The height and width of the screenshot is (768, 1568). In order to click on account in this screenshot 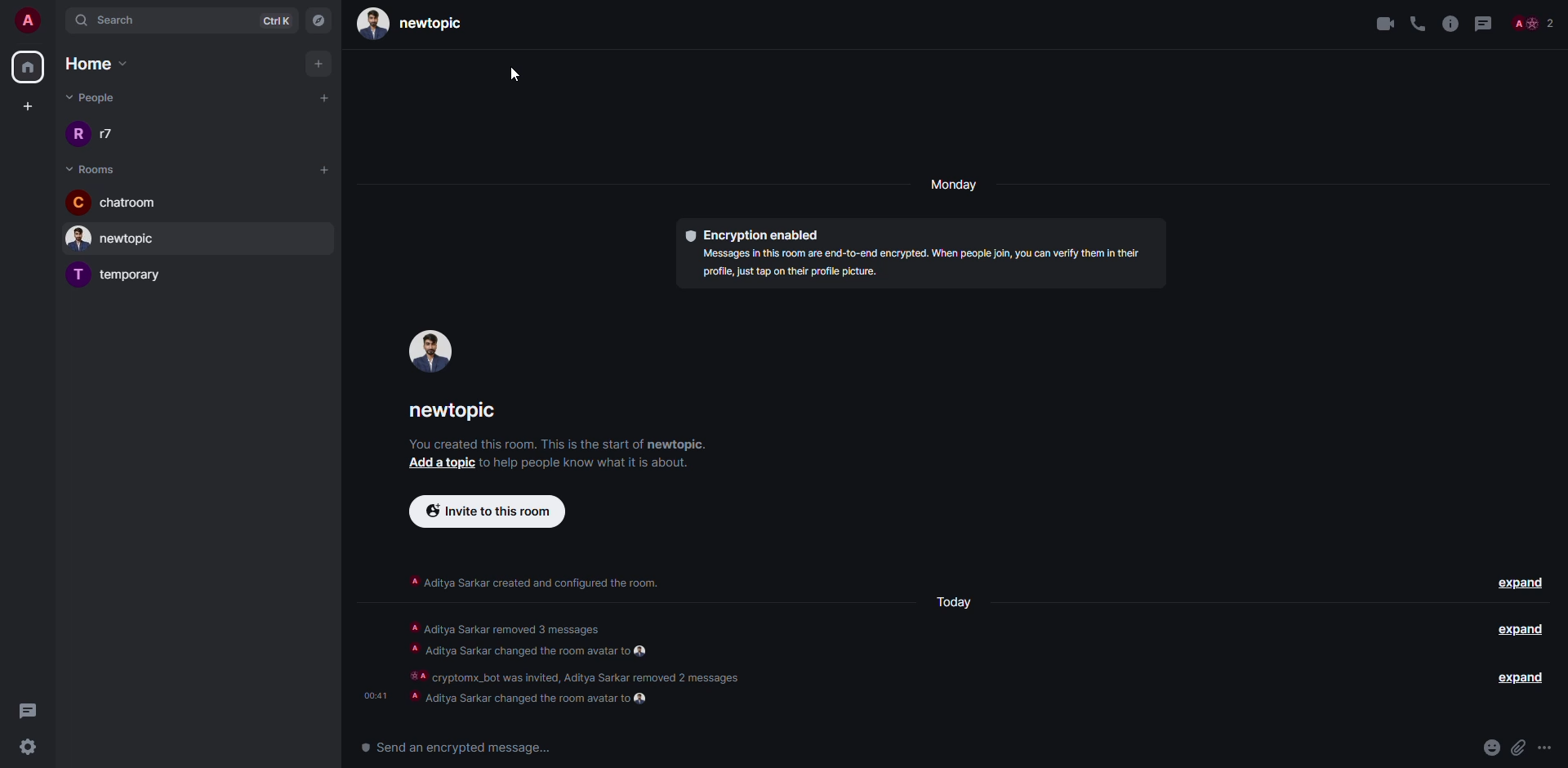, I will do `click(26, 18)`.